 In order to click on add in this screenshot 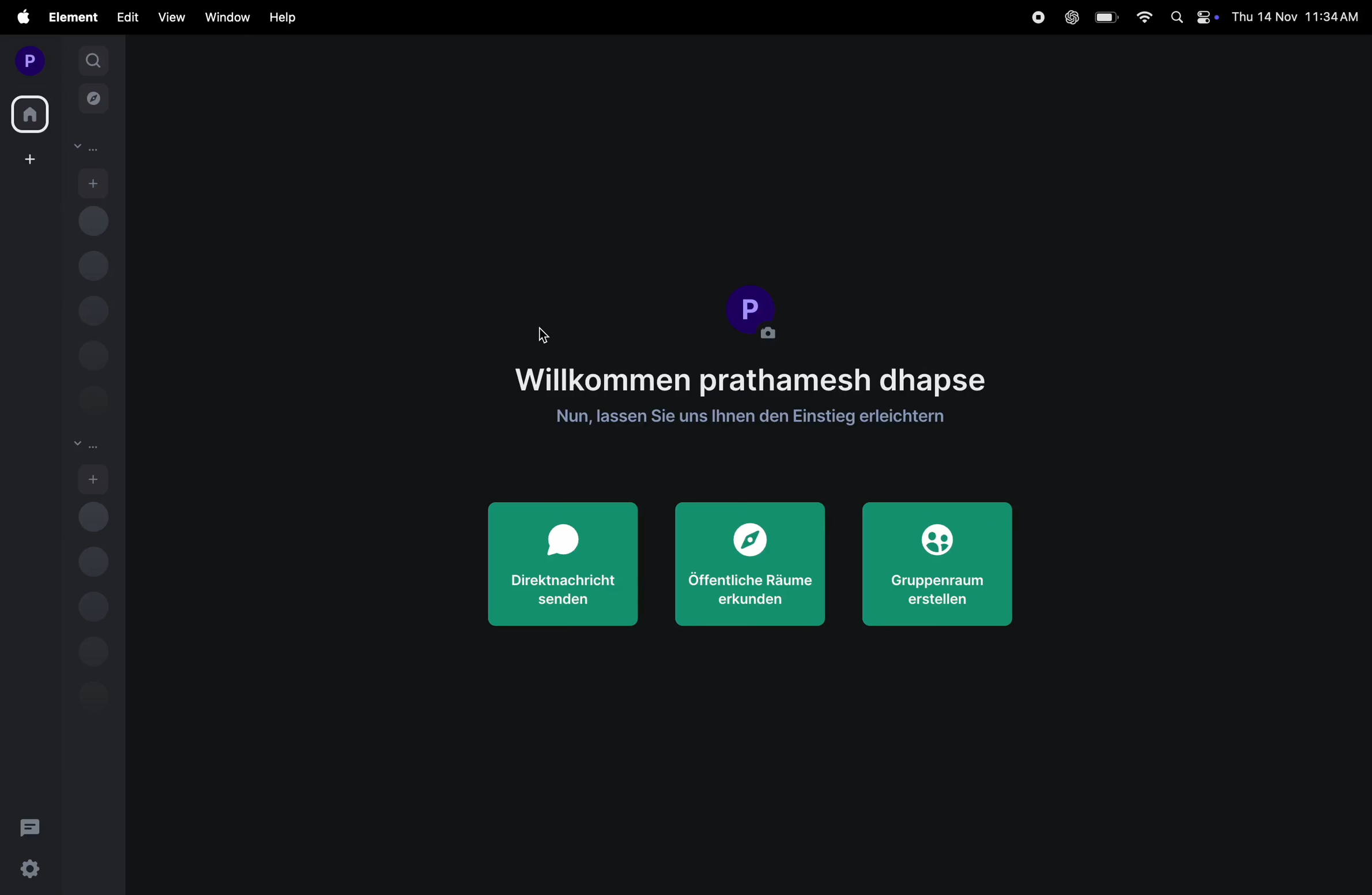, I will do `click(94, 182)`.